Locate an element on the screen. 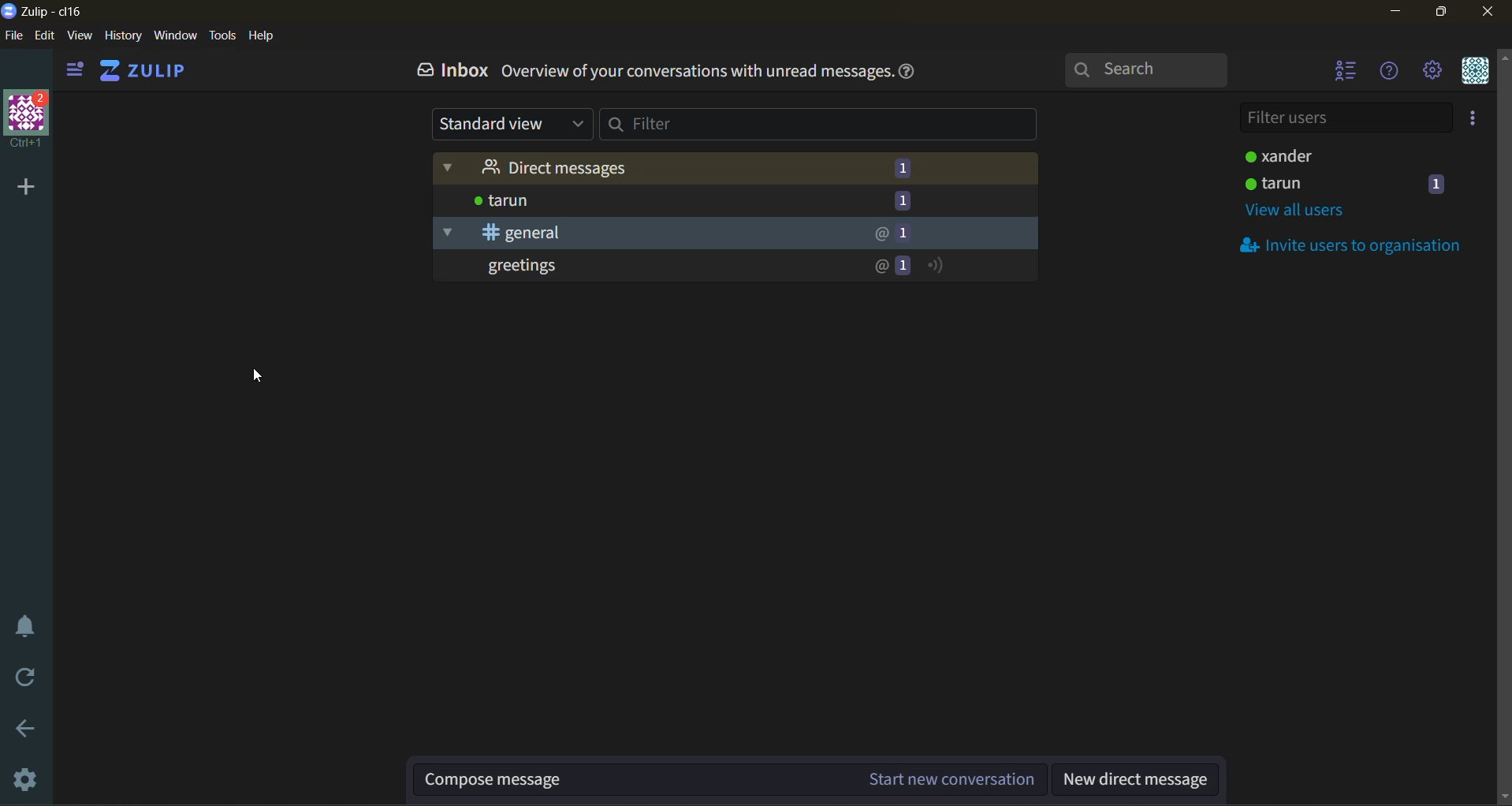 This screenshot has width=1512, height=806. go back is located at coordinates (24, 732).